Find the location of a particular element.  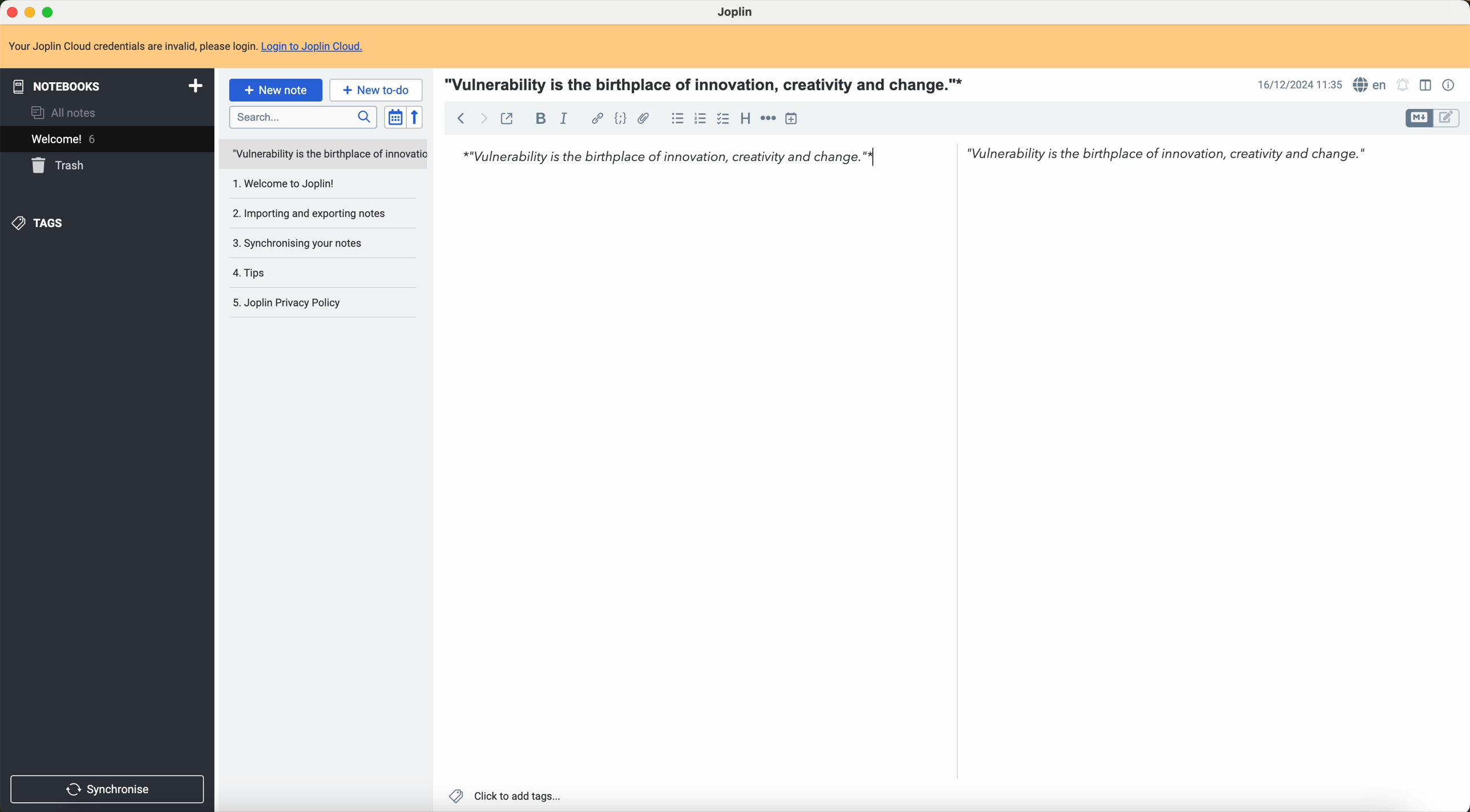

*"Vulnerability is the birthplace of innovation, creativity and change.” is located at coordinates (678, 161).